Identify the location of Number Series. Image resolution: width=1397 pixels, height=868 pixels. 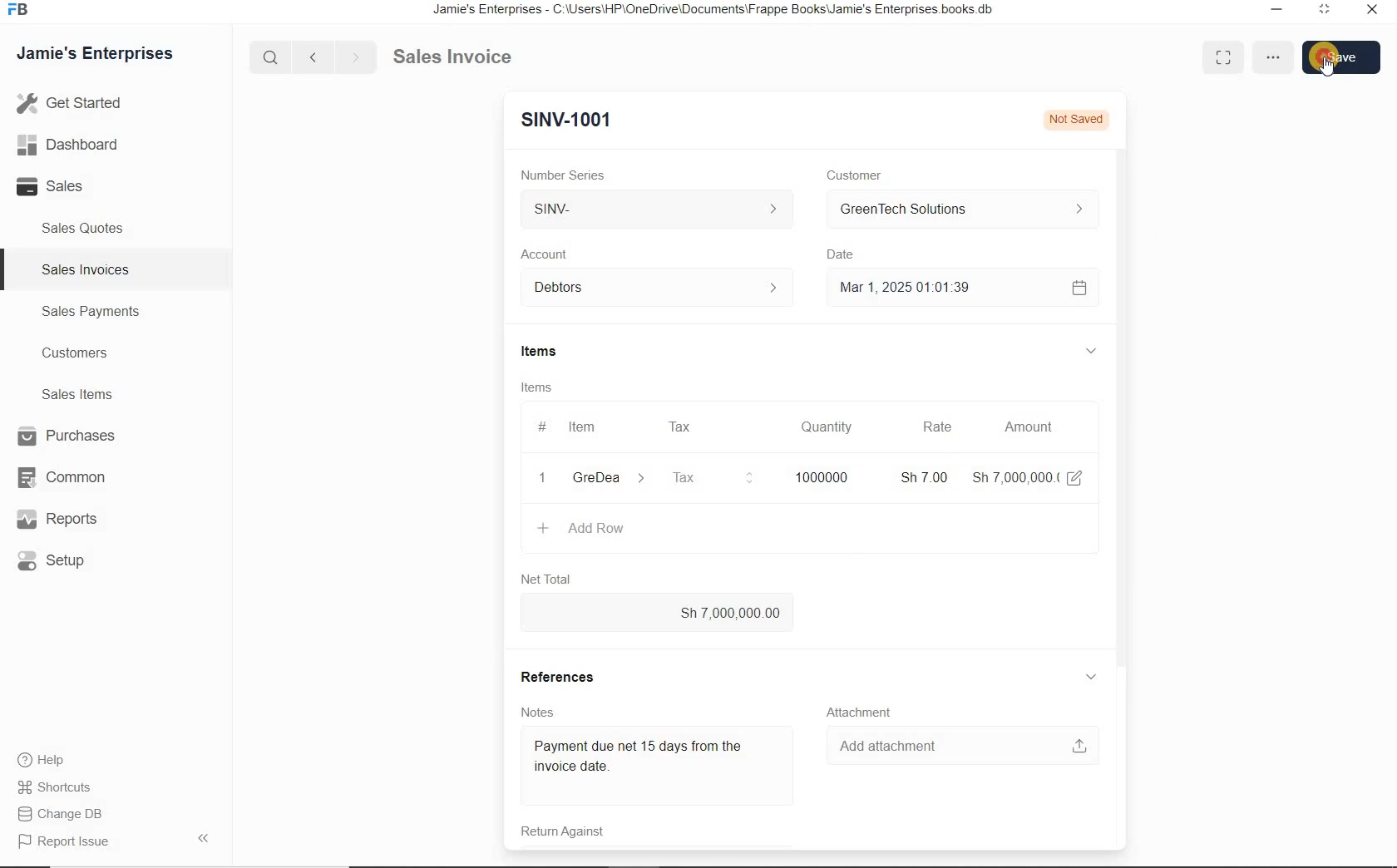
(559, 172).